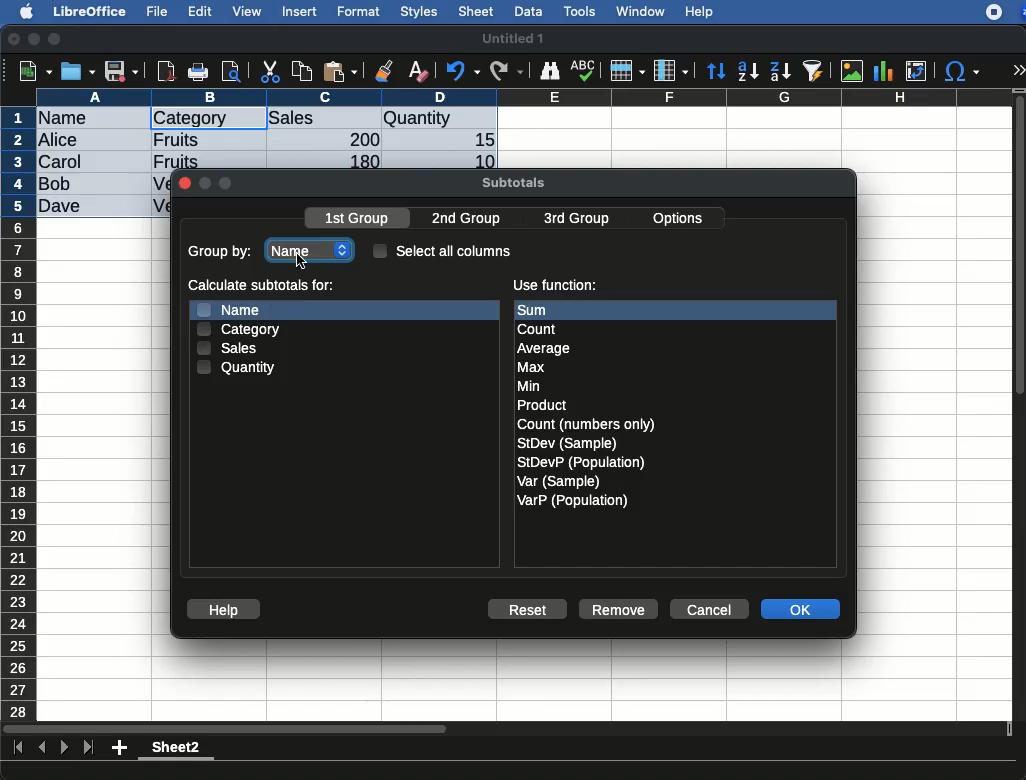 Image resolution: width=1026 pixels, height=780 pixels. What do you see at coordinates (560, 481) in the screenshot?
I see `Var (sample)` at bounding box center [560, 481].